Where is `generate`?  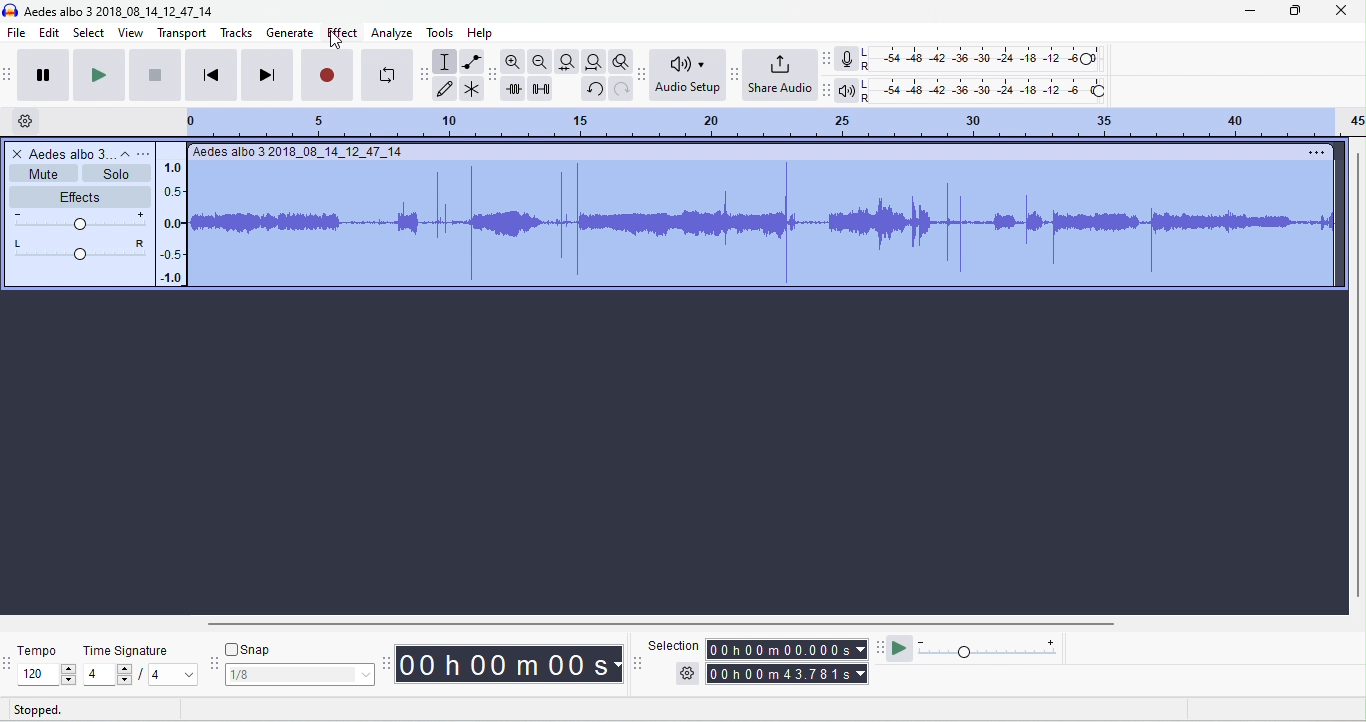 generate is located at coordinates (289, 33).